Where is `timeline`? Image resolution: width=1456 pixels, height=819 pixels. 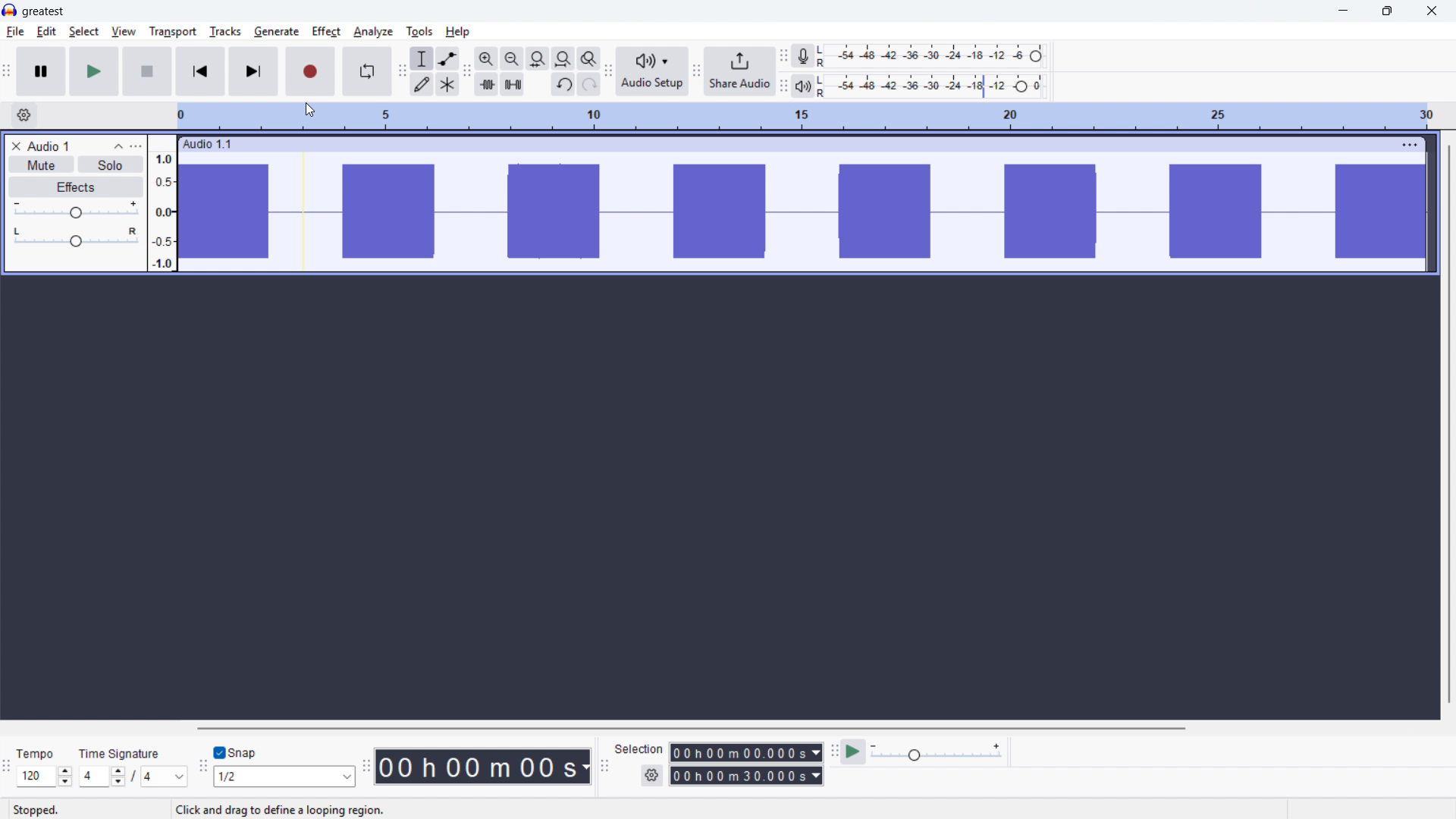
timeline is located at coordinates (811, 116).